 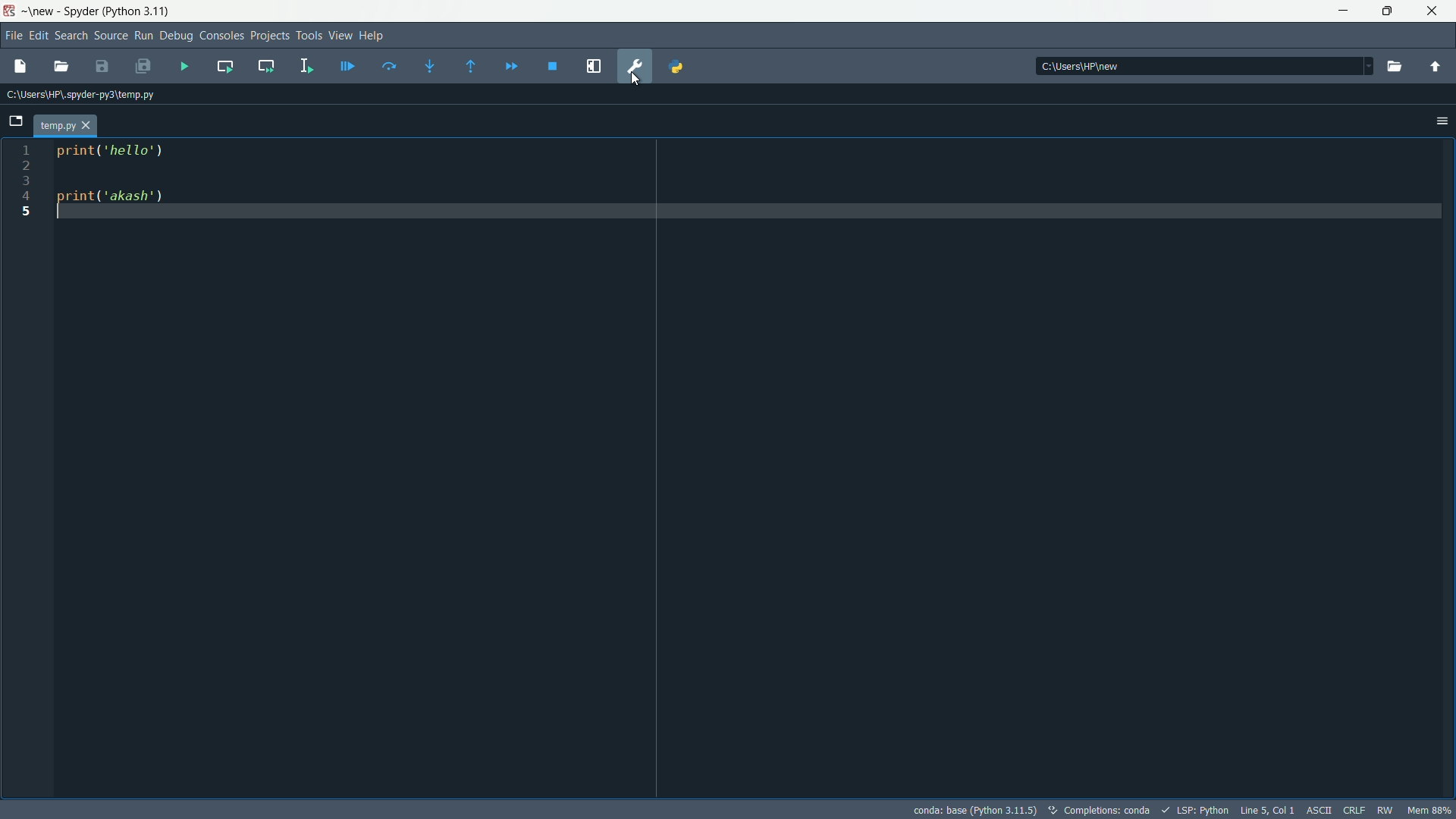 What do you see at coordinates (227, 65) in the screenshot?
I see `run current cell` at bounding box center [227, 65].